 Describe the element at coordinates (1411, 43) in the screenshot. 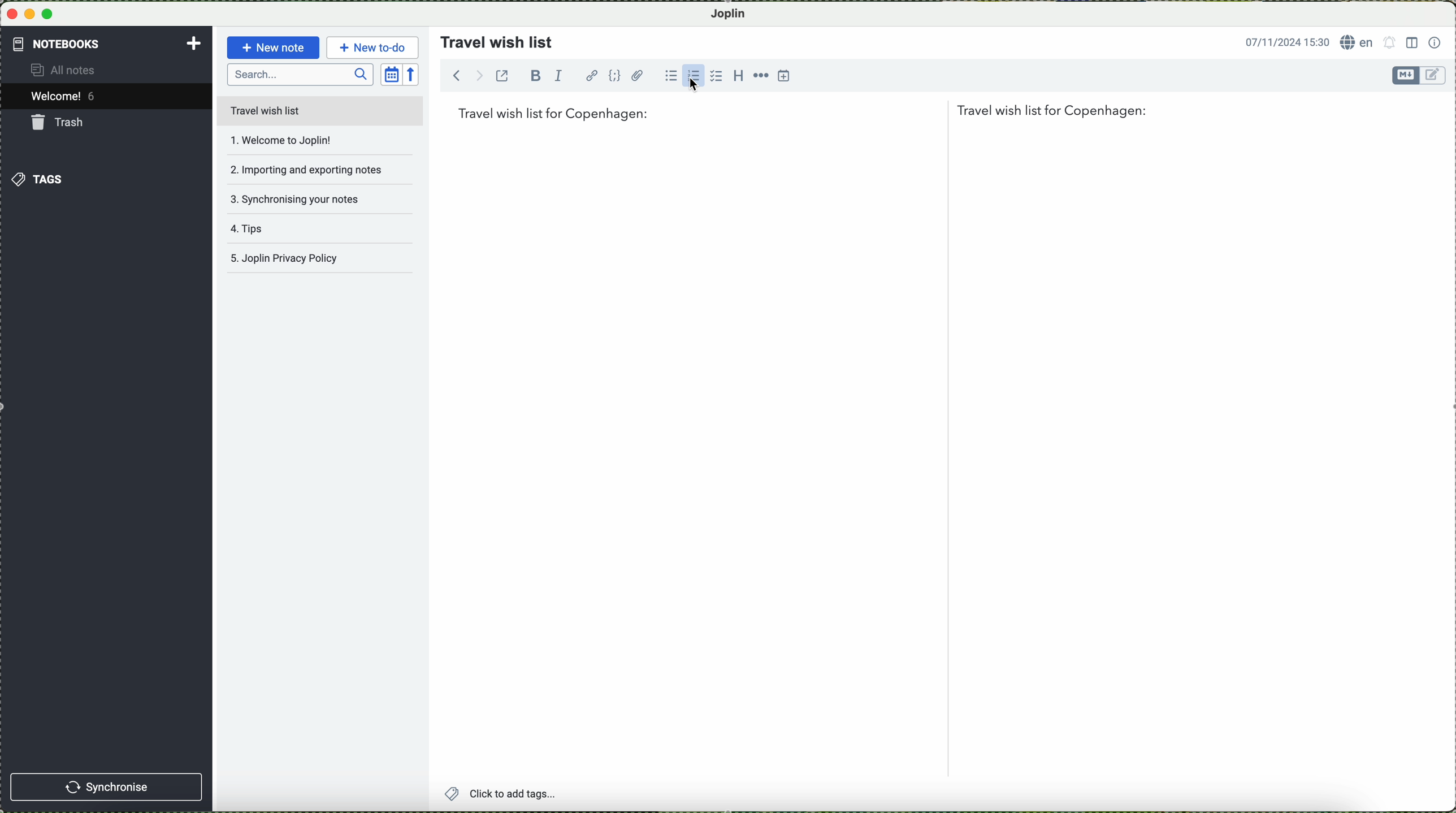

I see `toggle editor layout` at that location.